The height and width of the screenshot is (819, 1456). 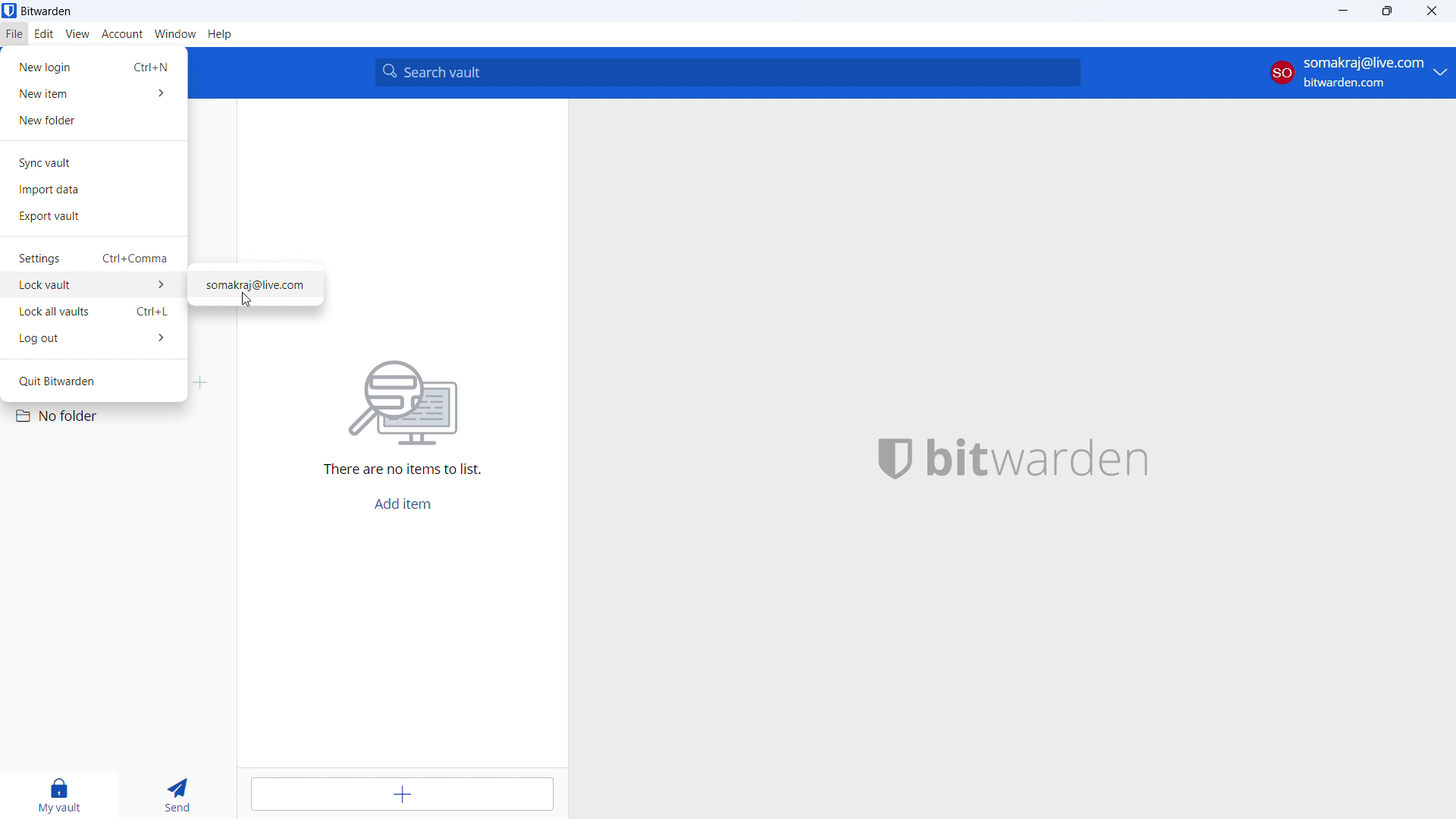 I want to click on account, so click(x=1357, y=73).